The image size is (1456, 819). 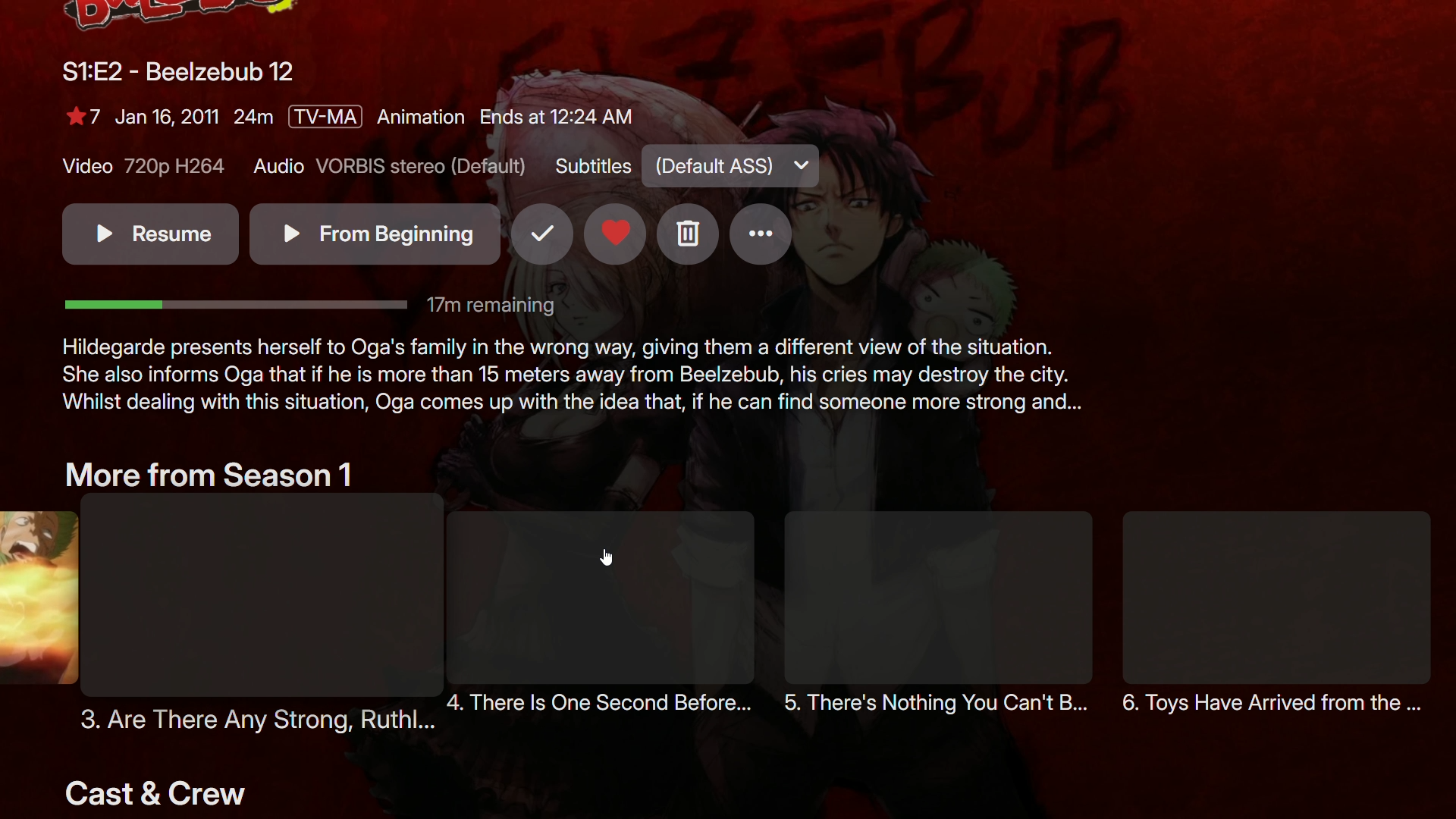 I want to click on Beelzebub 12, so click(x=187, y=72).